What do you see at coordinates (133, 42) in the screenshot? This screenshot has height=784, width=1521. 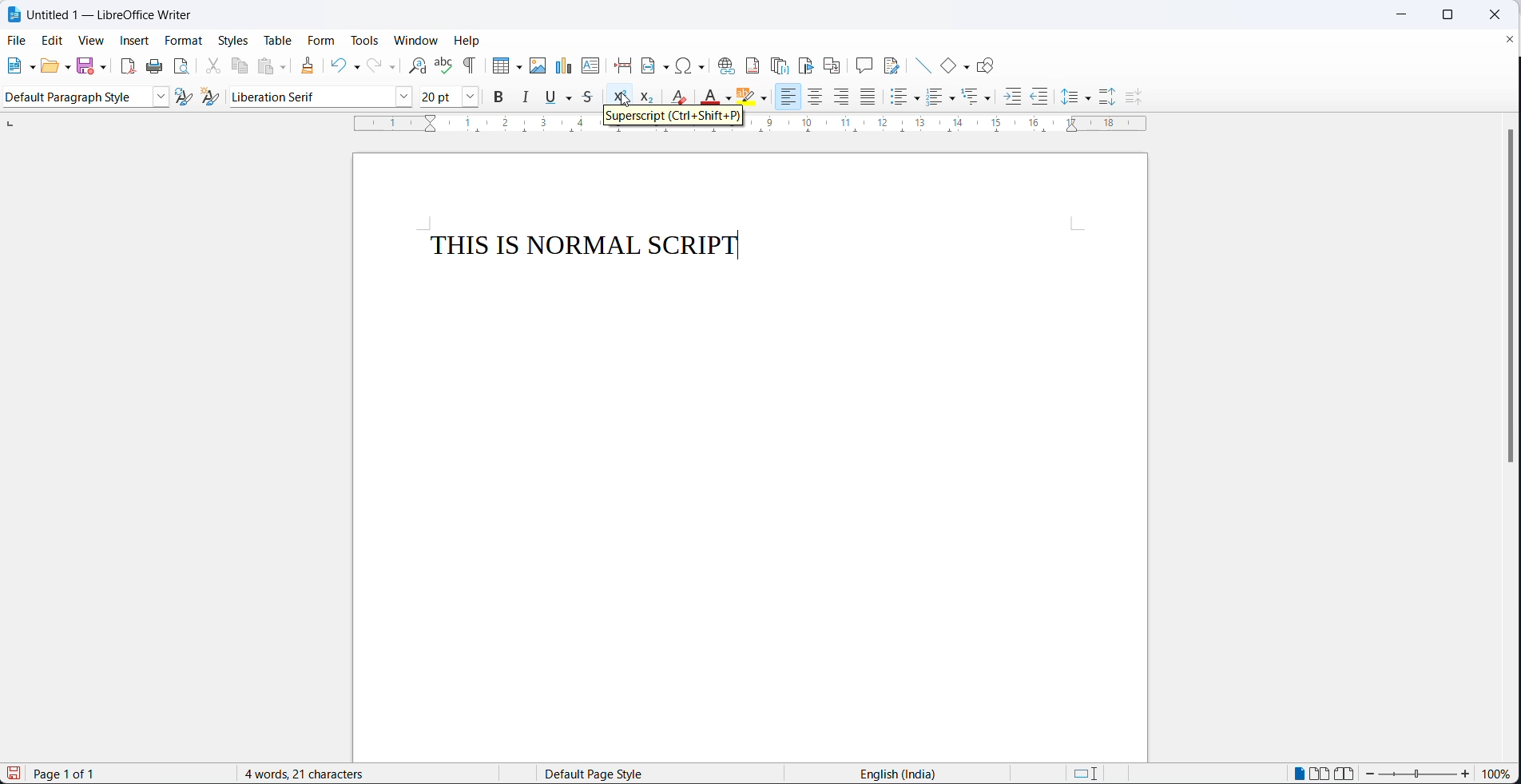 I see `insert ` at bounding box center [133, 42].